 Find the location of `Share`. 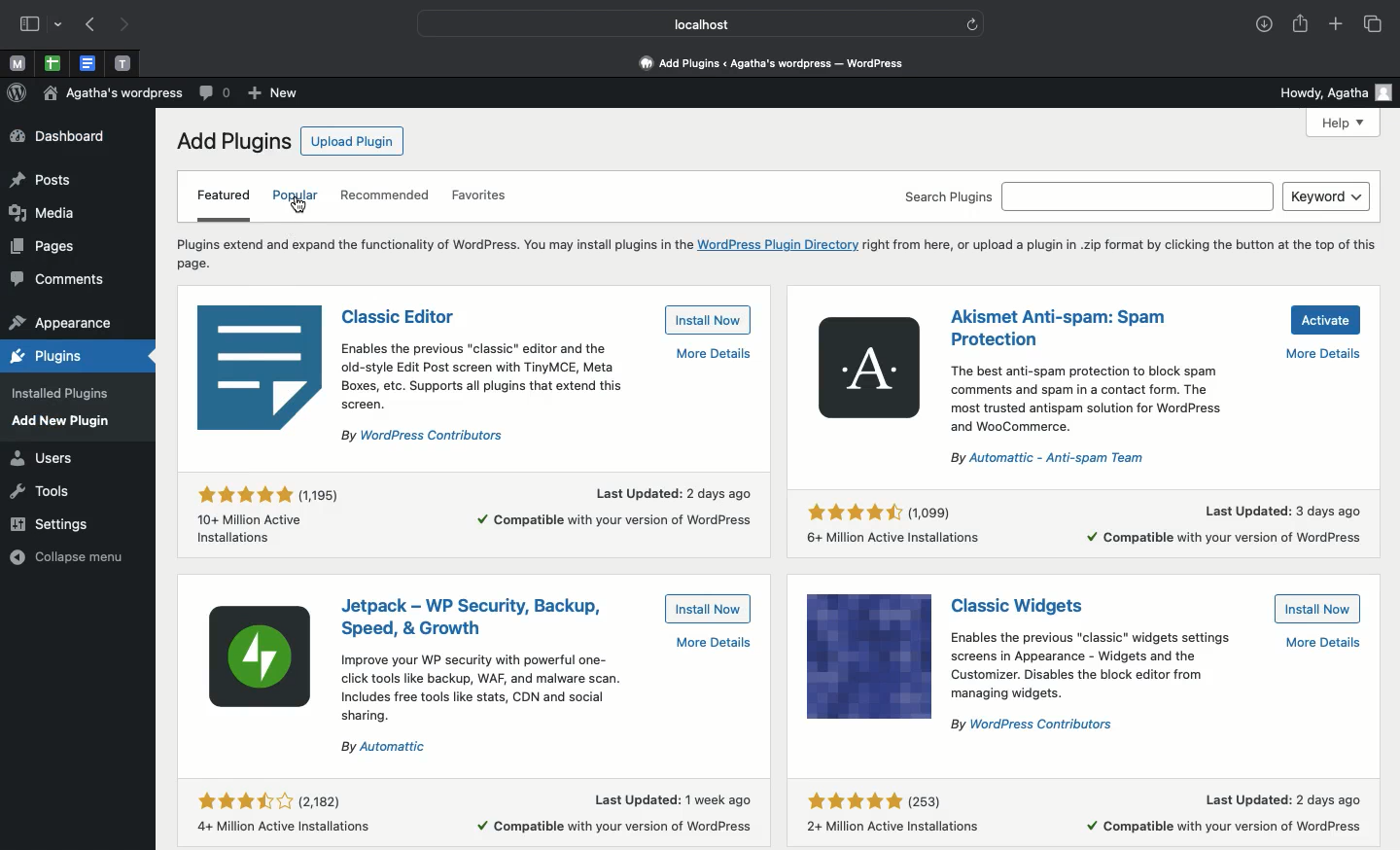

Share is located at coordinates (1302, 25).